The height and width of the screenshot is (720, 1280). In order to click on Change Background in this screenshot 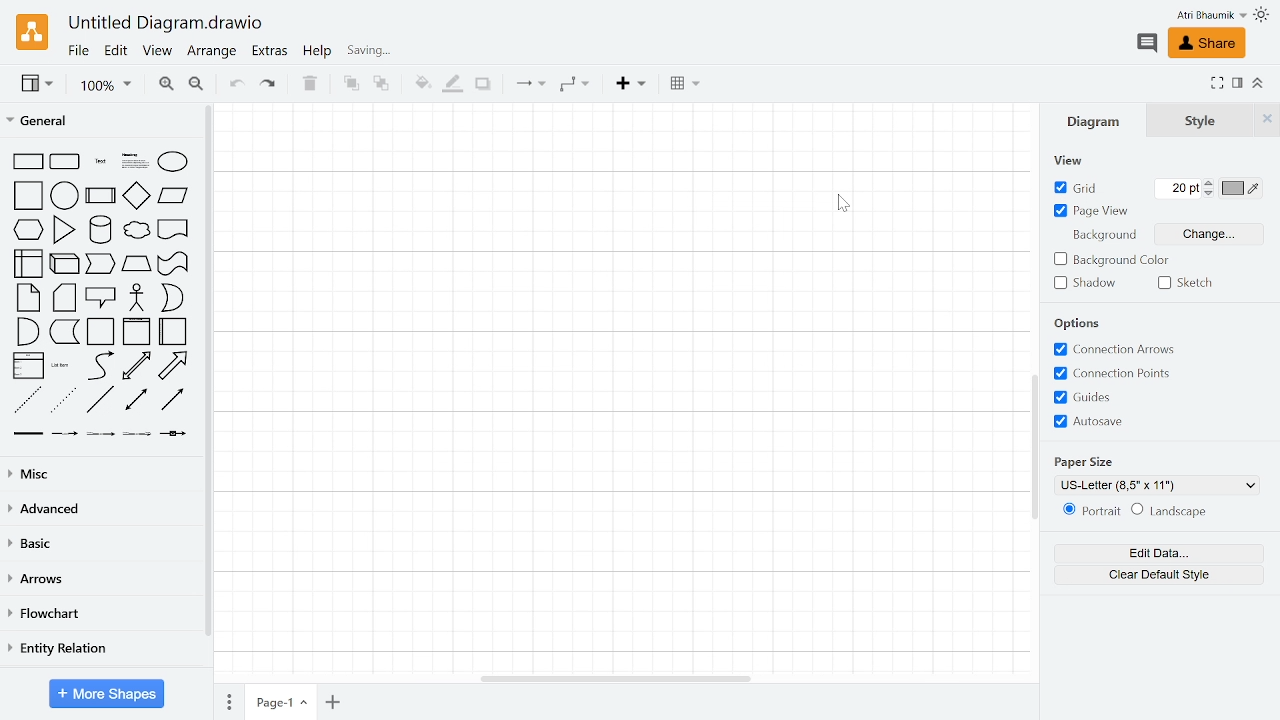, I will do `click(1208, 236)`.